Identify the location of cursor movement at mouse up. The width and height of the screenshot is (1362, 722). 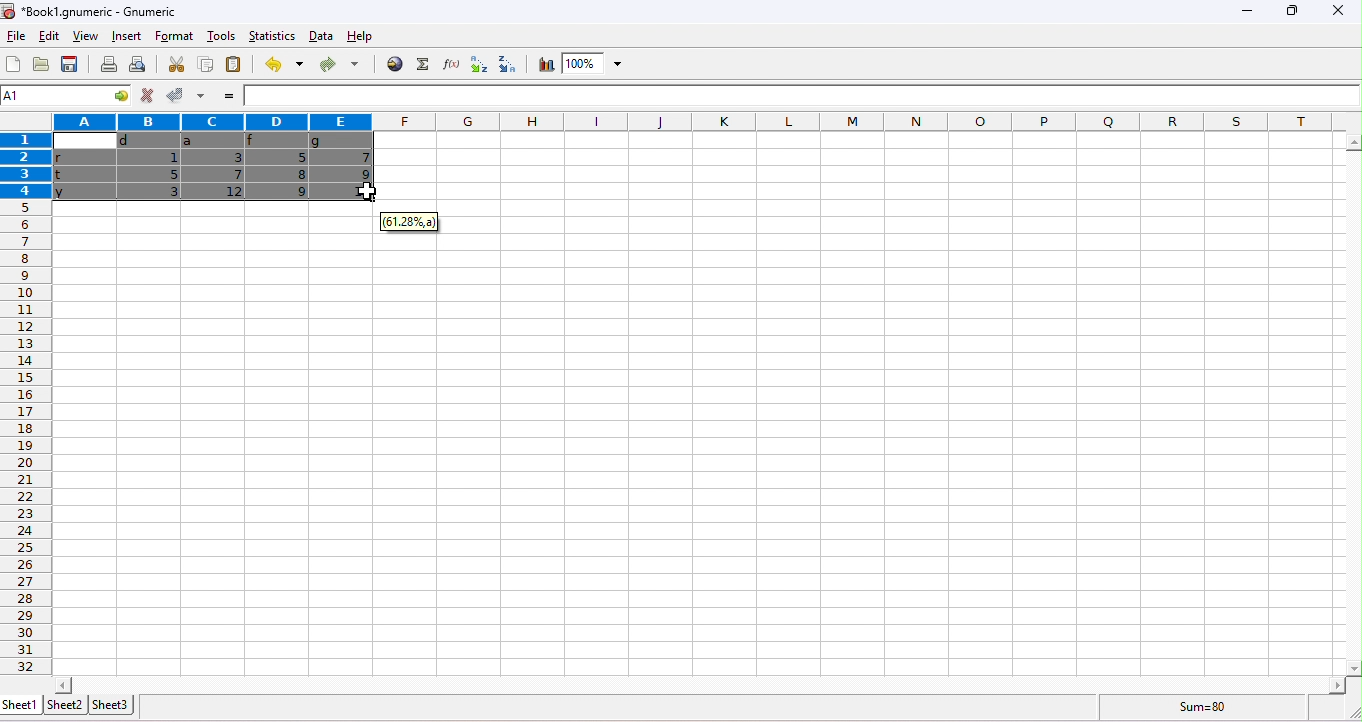
(370, 191).